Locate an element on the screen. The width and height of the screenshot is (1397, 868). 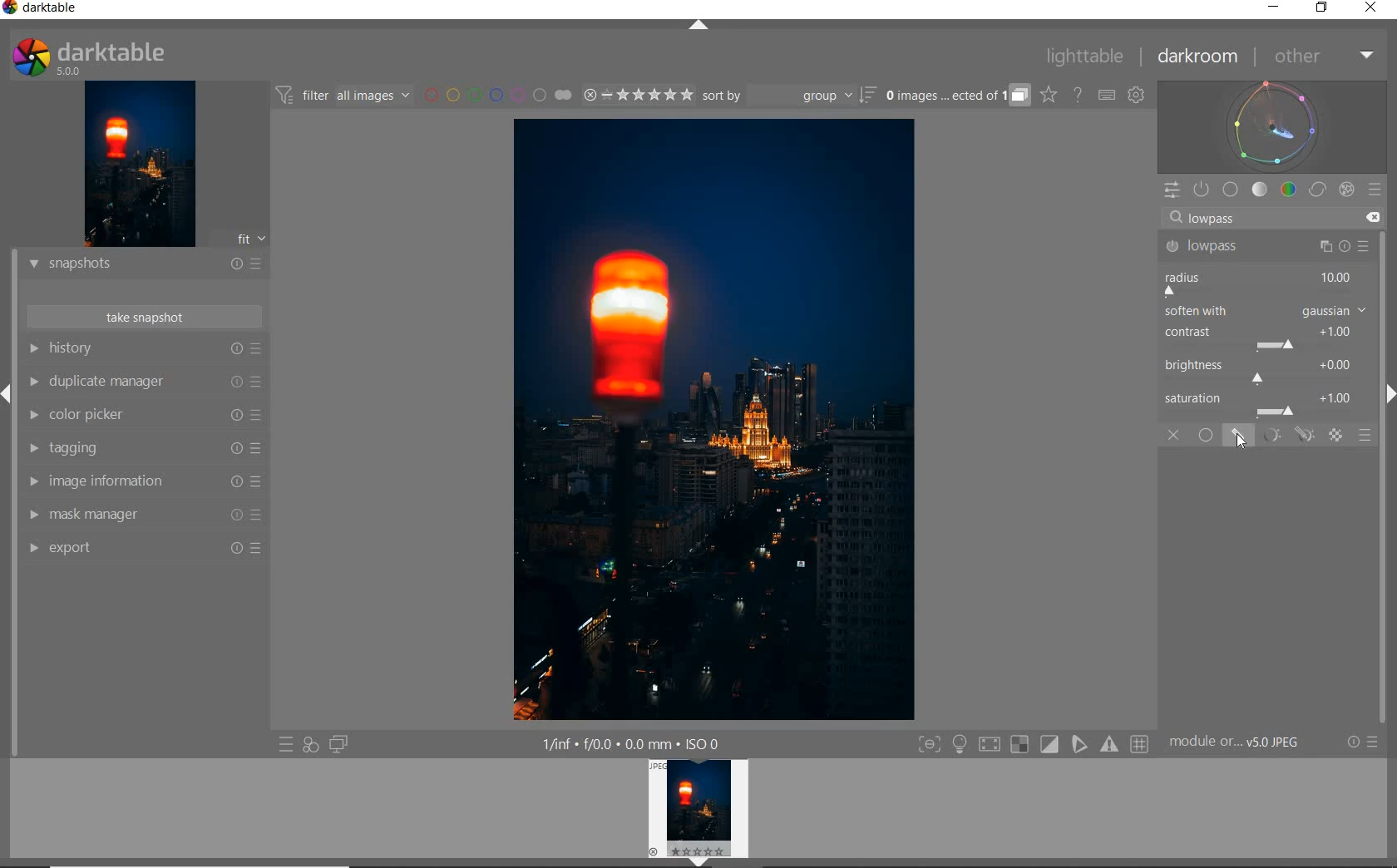
SCROLLBAR is located at coordinates (1389, 476).